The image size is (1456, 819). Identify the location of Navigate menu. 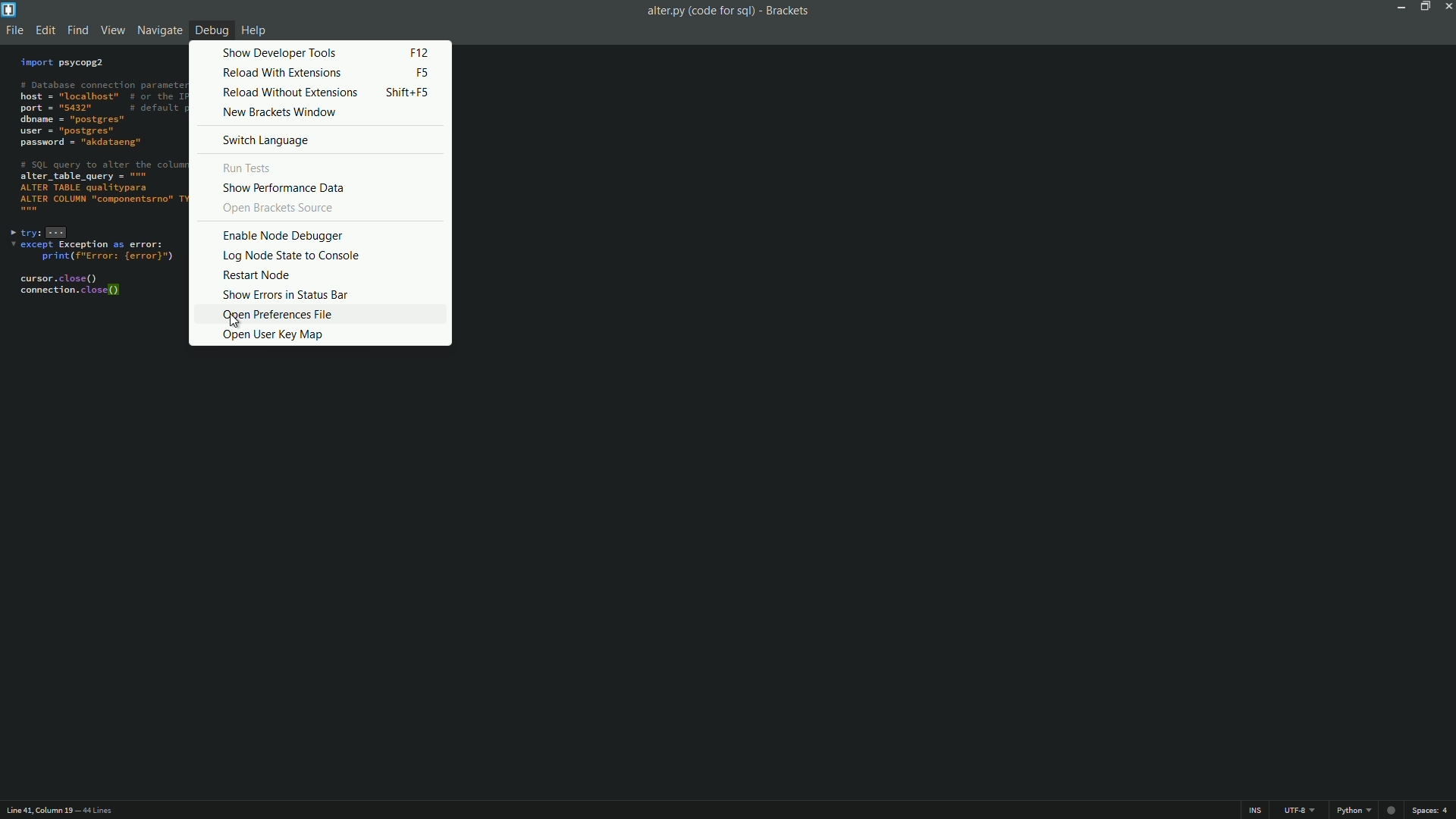
(160, 30).